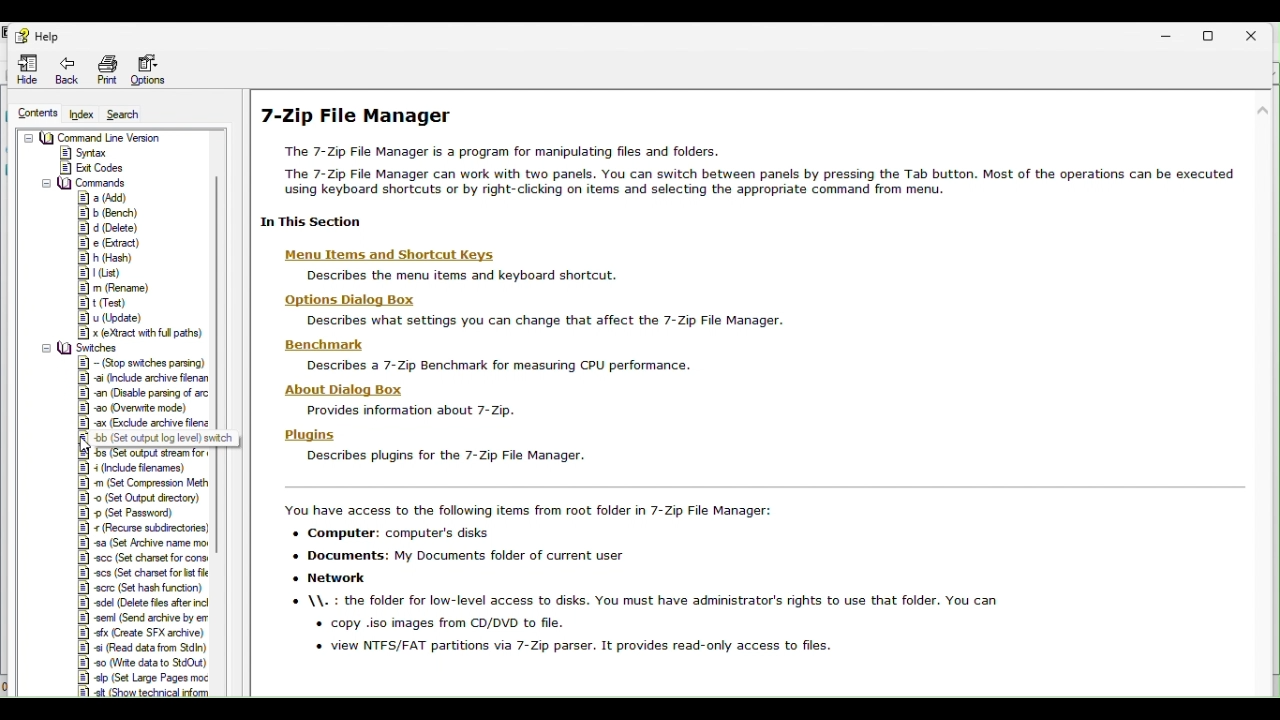 Image resolution: width=1280 pixels, height=720 pixels. What do you see at coordinates (106, 197) in the screenshot?
I see `=] a (Add)` at bounding box center [106, 197].